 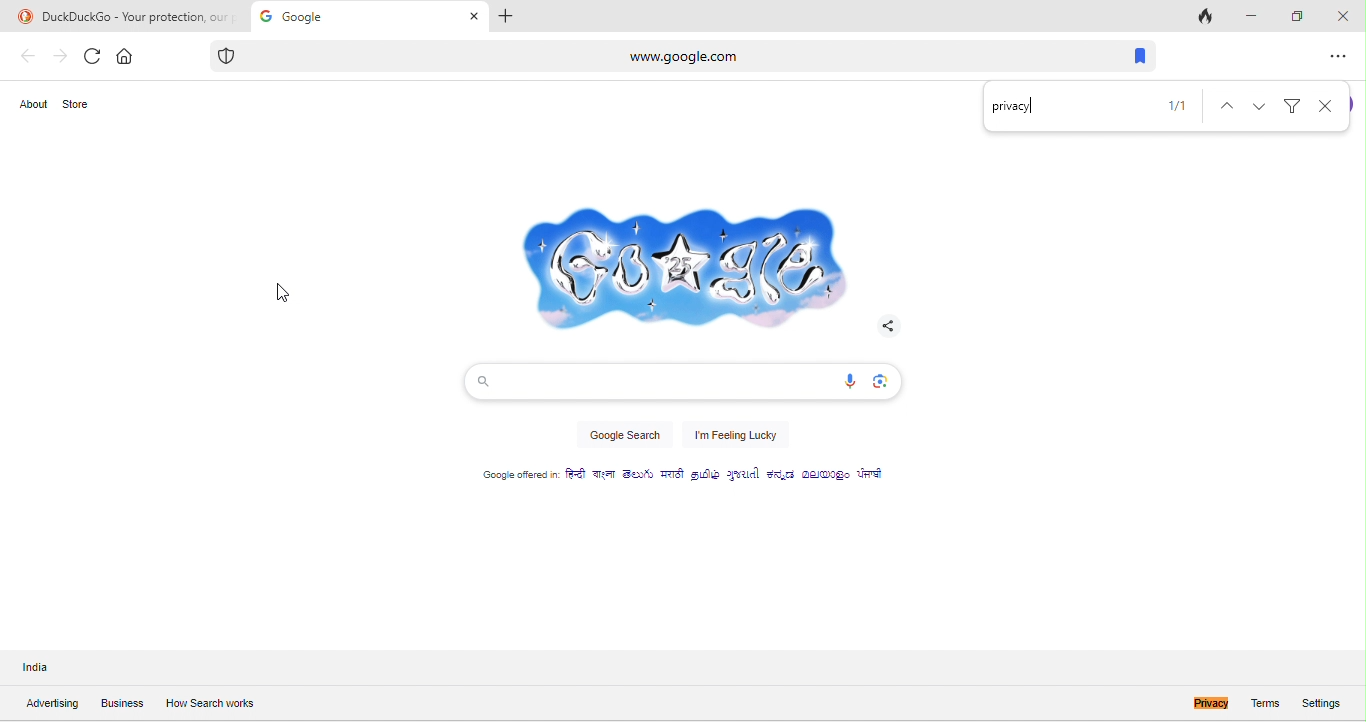 What do you see at coordinates (1191, 702) in the screenshot?
I see `PRIVACY` at bounding box center [1191, 702].